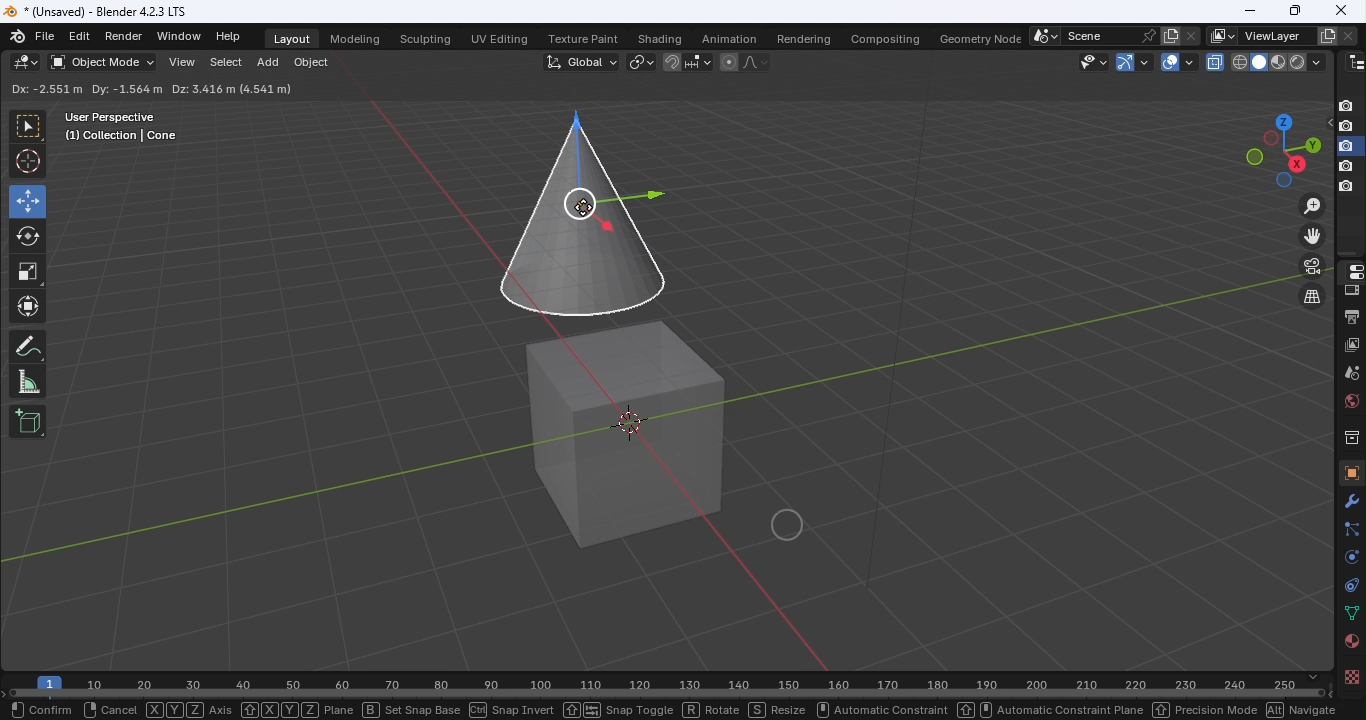 The height and width of the screenshot is (720, 1366). What do you see at coordinates (1095, 61) in the screenshot?
I see `Selectability and visibility` at bounding box center [1095, 61].